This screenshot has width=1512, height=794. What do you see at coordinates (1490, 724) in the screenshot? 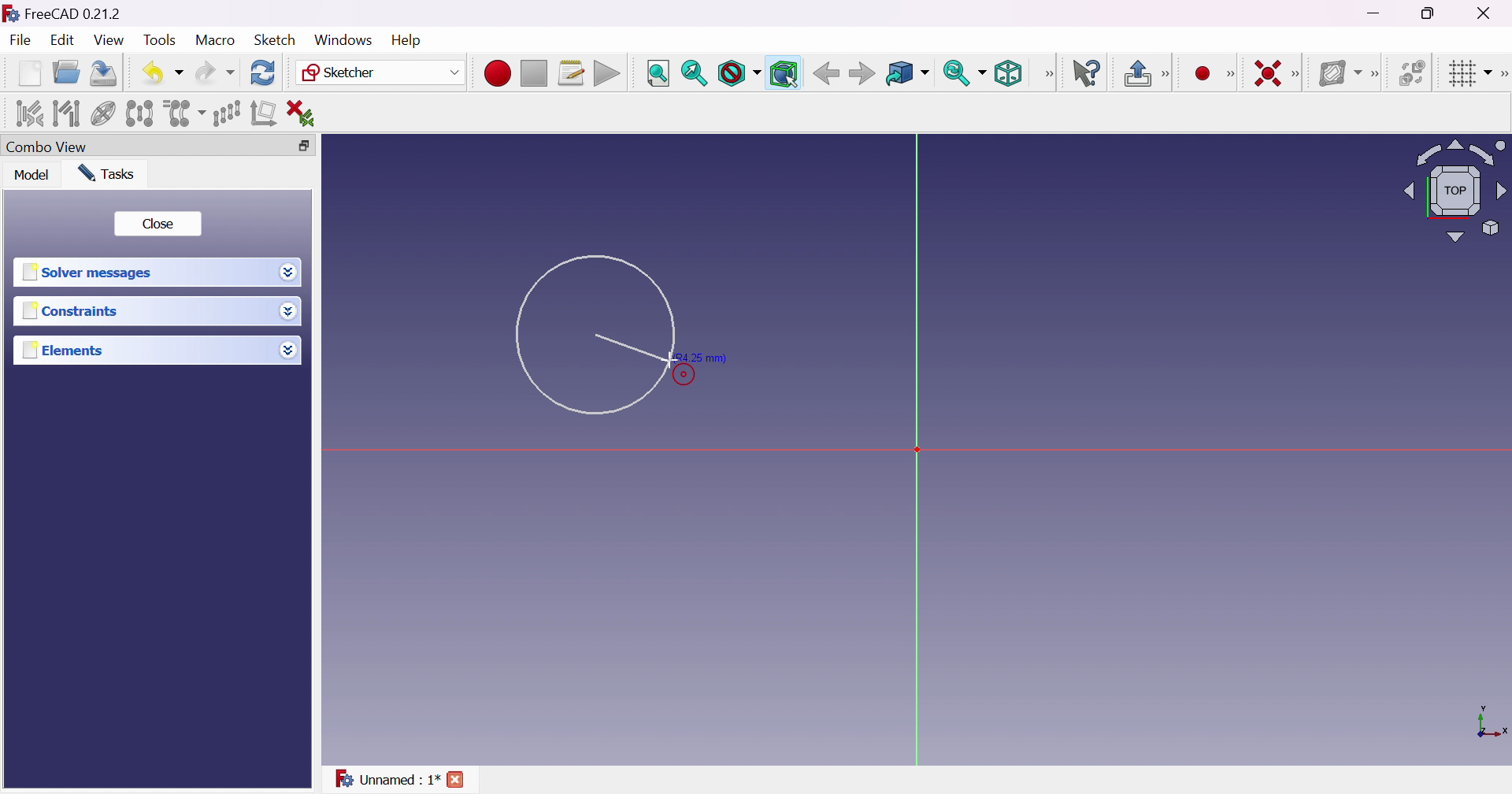
I see `x, y axis` at bounding box center [1490, 724].